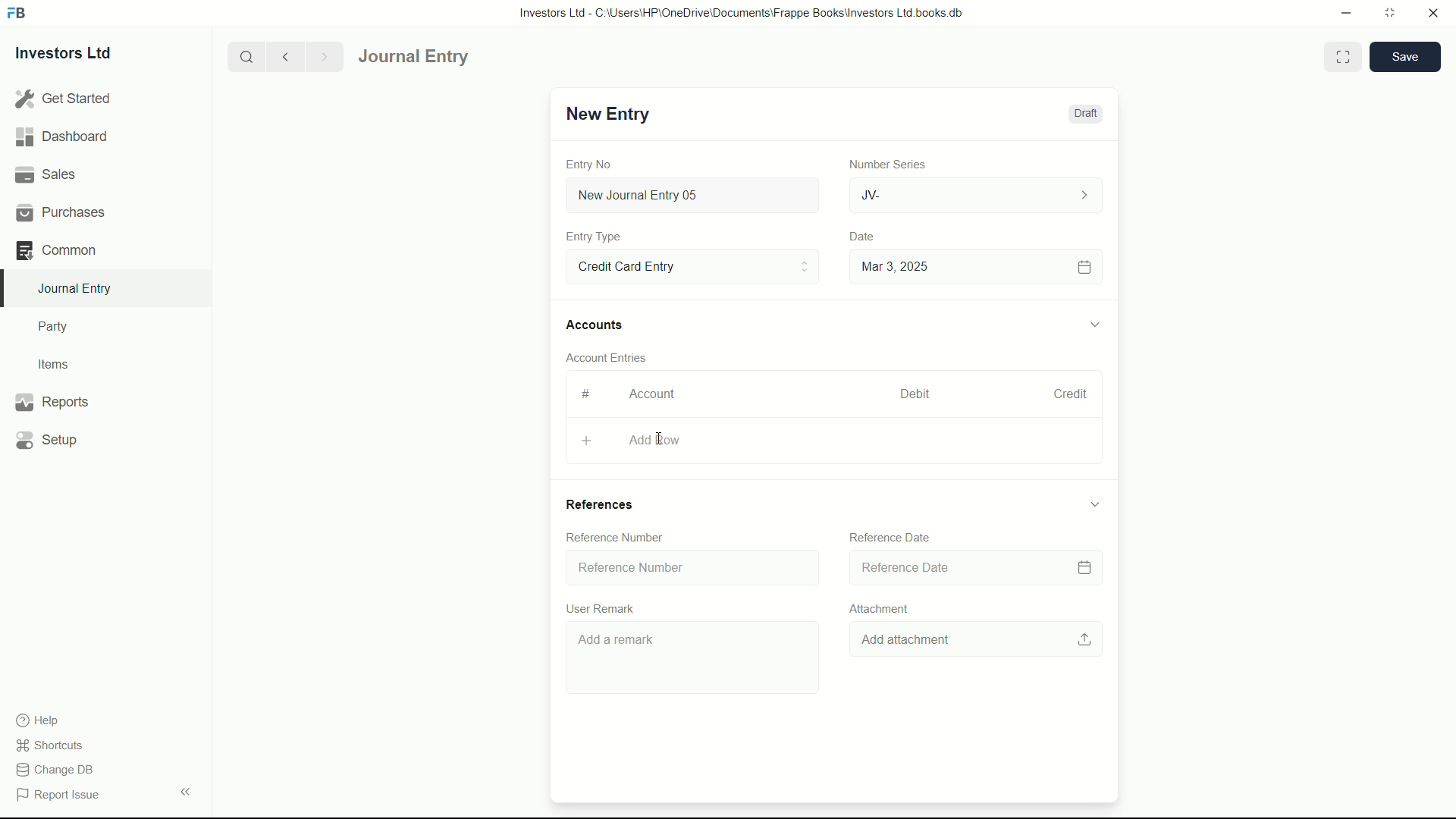  Describe the element at coordinates (591, 162) in the screenshot. I see `Entry No` at that location.